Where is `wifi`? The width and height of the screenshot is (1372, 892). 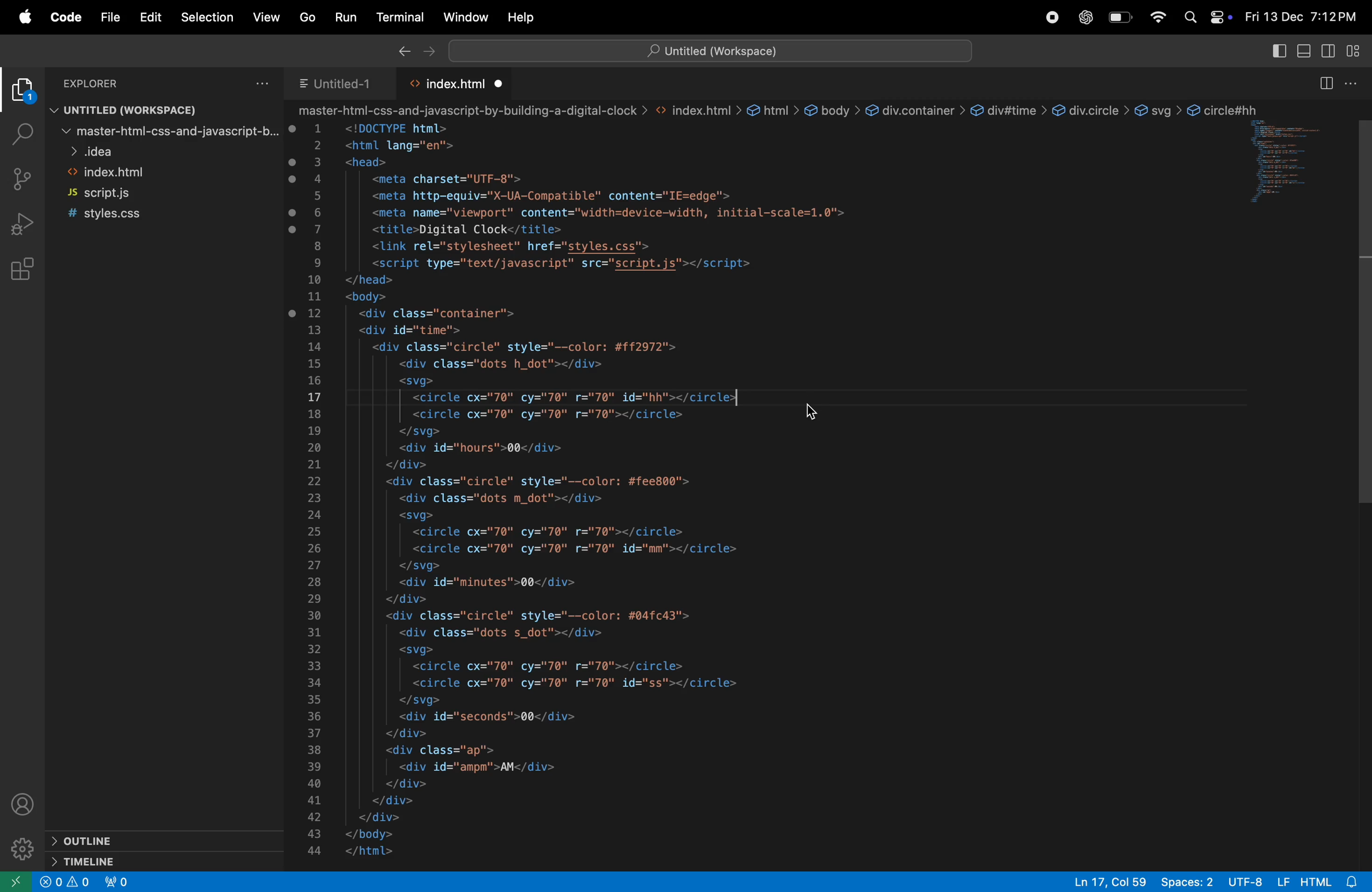
wifi is located at coordinates (1157, 17).